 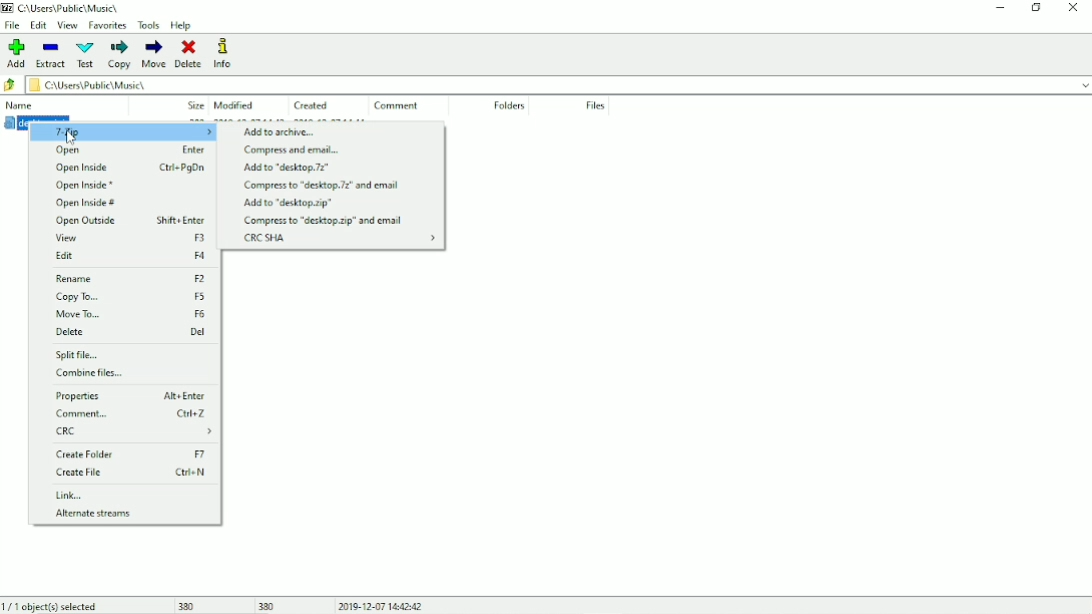 I want to click on CRC SHA, so click(x=338, y=238).